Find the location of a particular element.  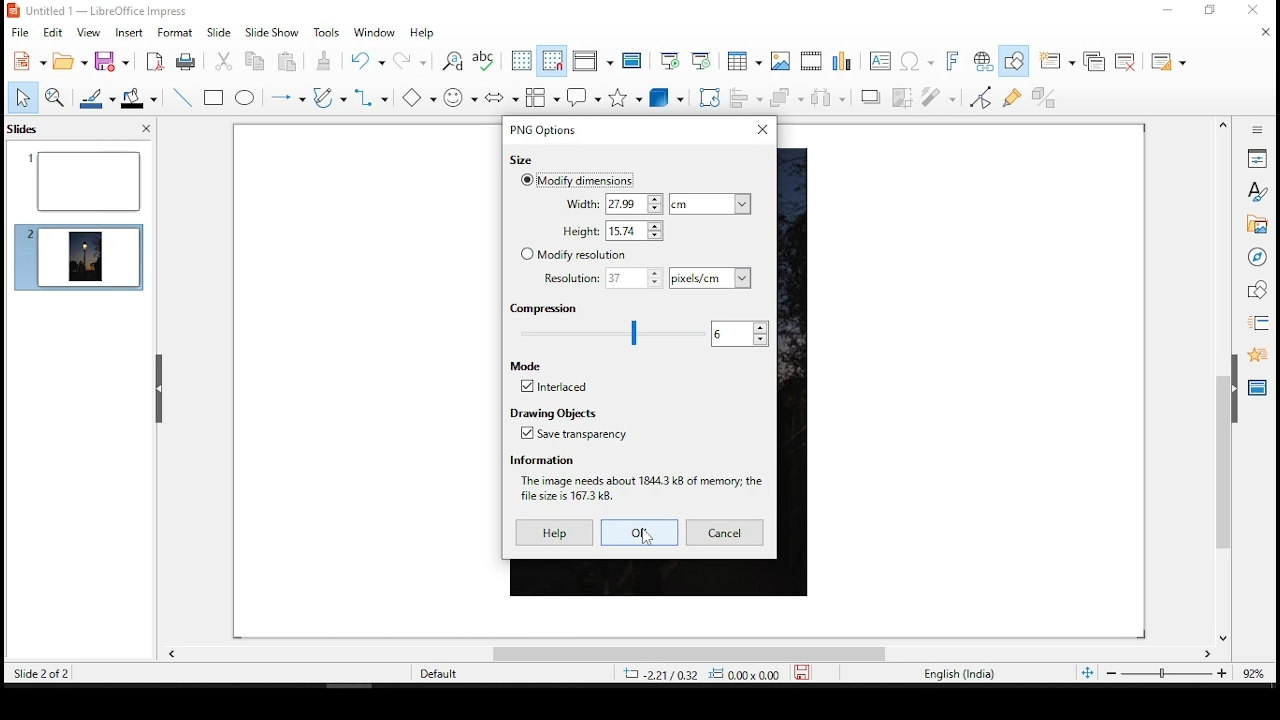

format is located at coordinates (175, 33).